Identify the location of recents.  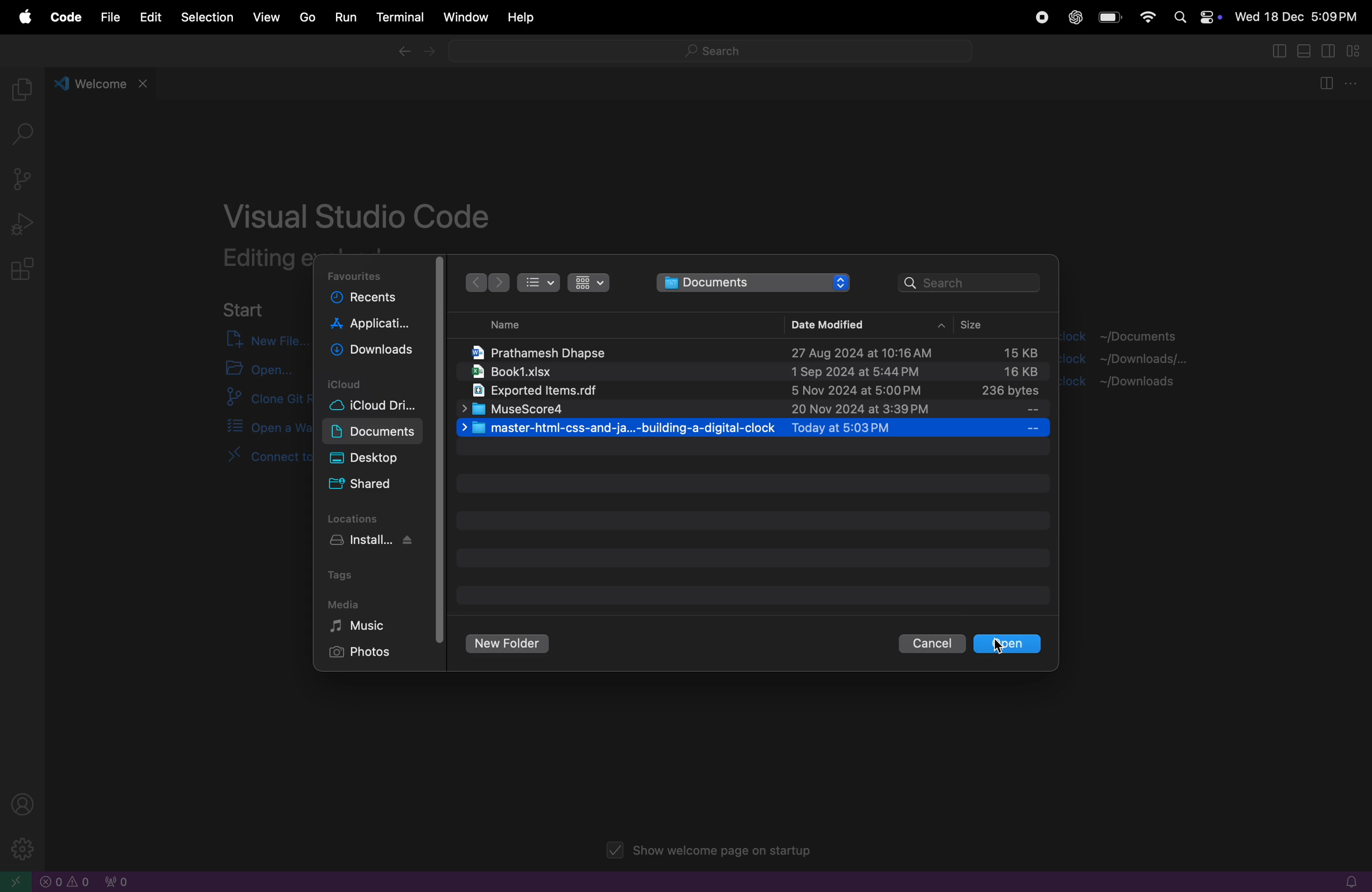
(372, 300).